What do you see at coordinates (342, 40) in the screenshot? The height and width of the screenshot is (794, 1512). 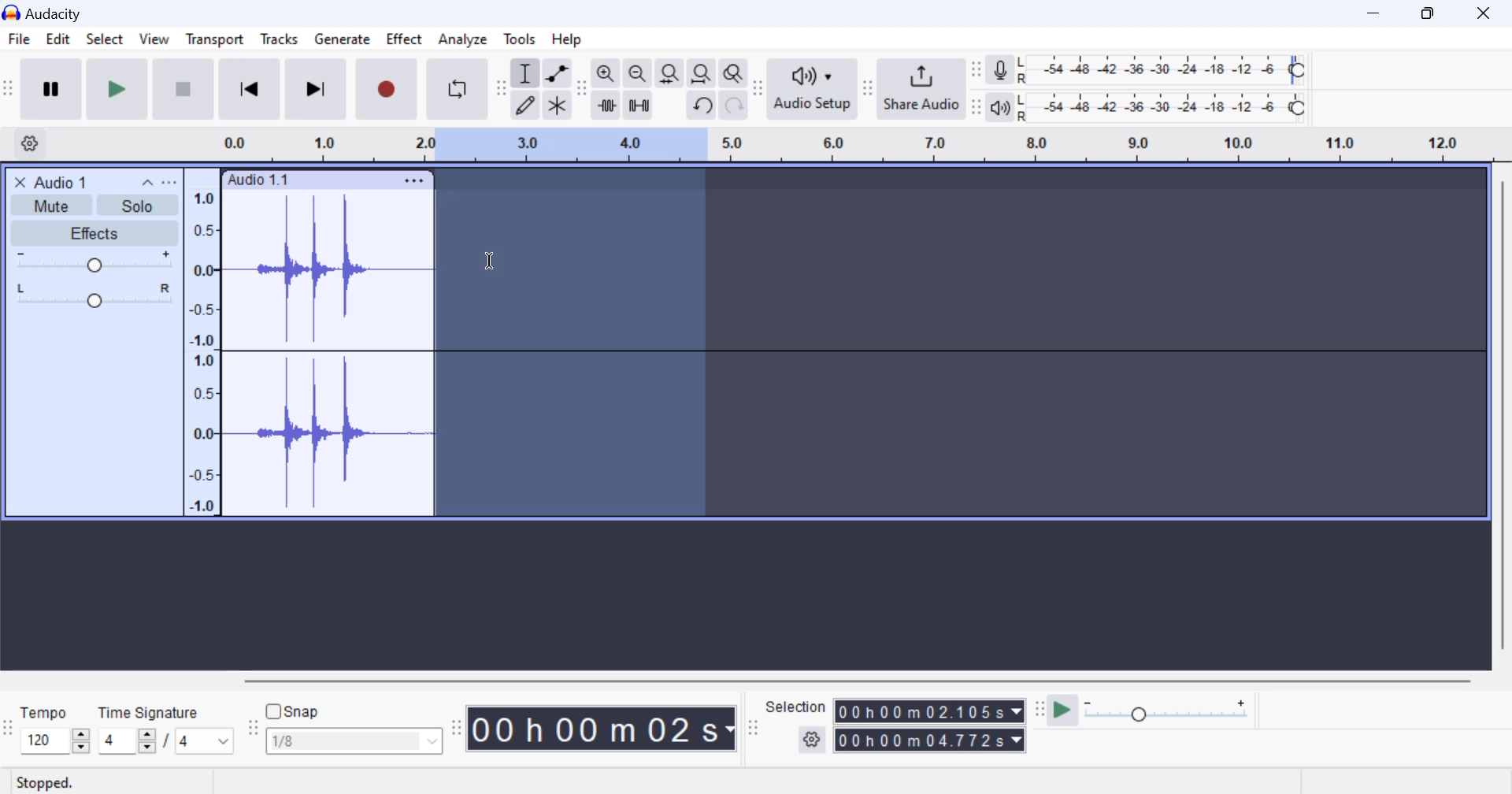 I see `Generate` at bounding box center [342, 40].